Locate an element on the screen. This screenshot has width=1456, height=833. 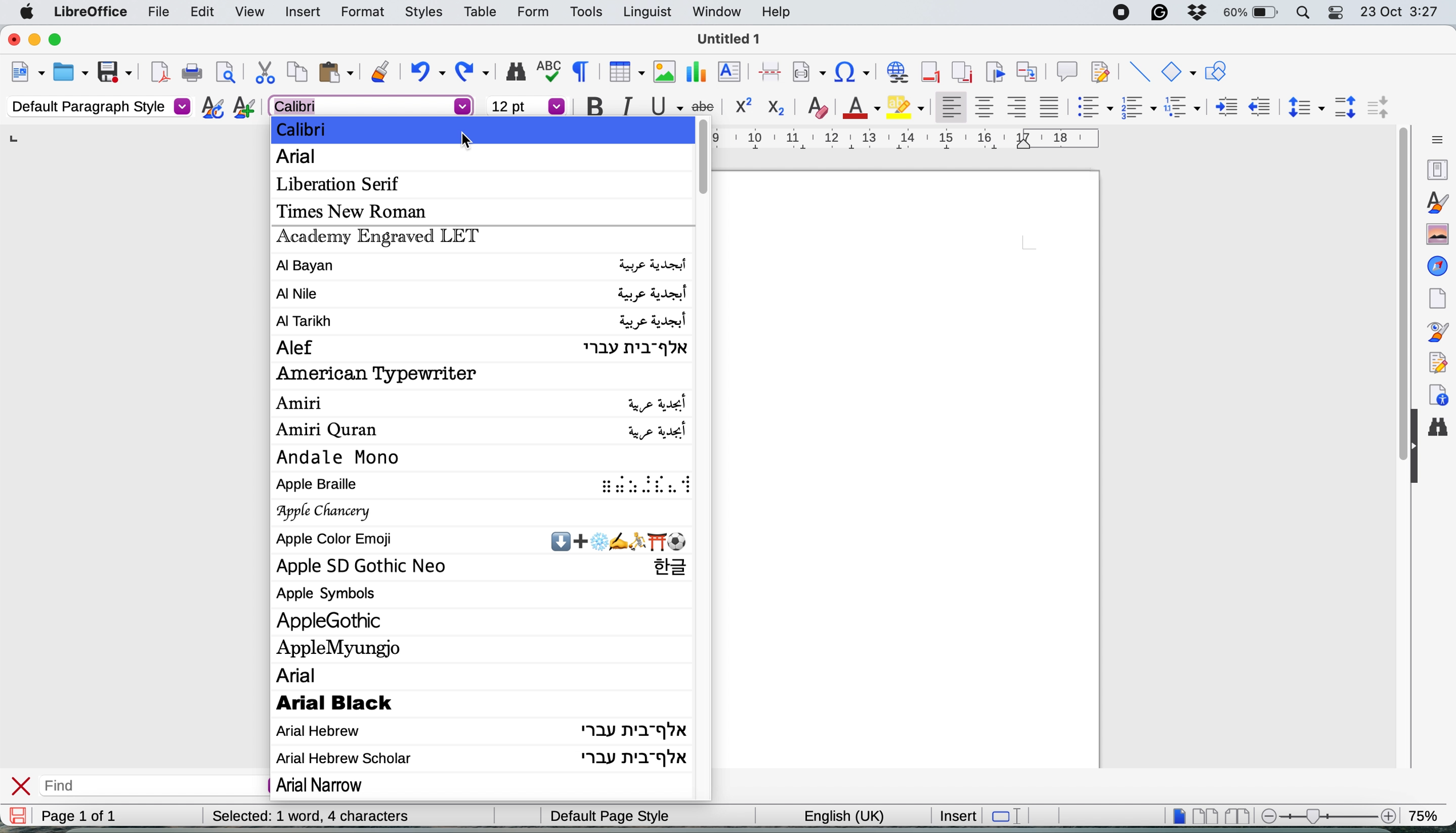
underline is located at coordinates (664, 109).